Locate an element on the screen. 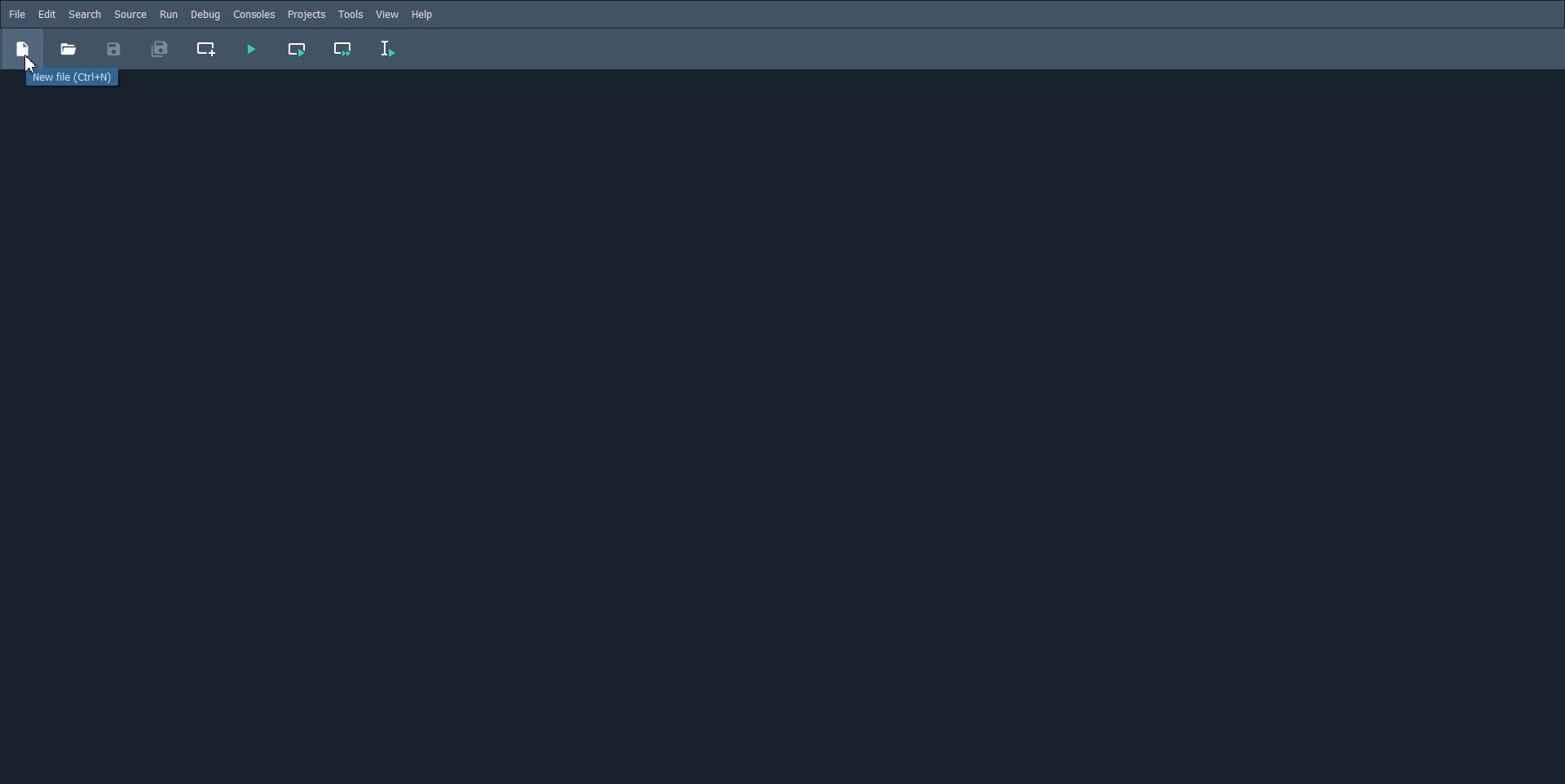 The image size is (1565, 784). Run Current cell and go to next cell is located at coordinates (344, 50).